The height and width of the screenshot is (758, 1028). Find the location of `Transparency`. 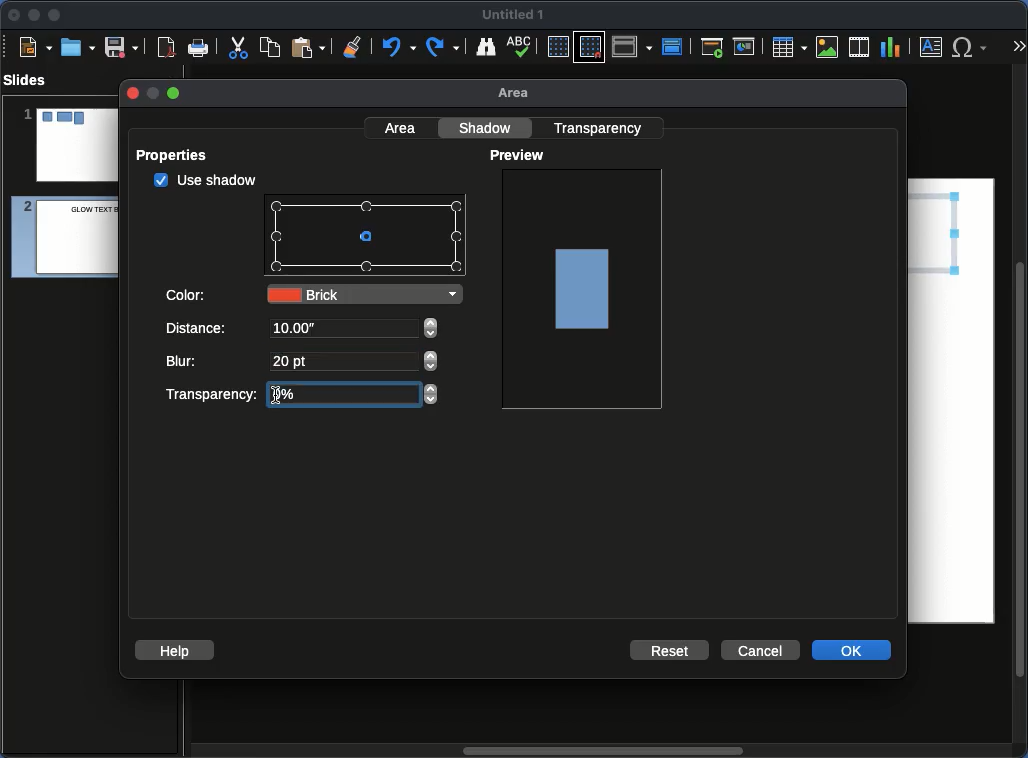

Transparency is located at coordinates (210, 393).